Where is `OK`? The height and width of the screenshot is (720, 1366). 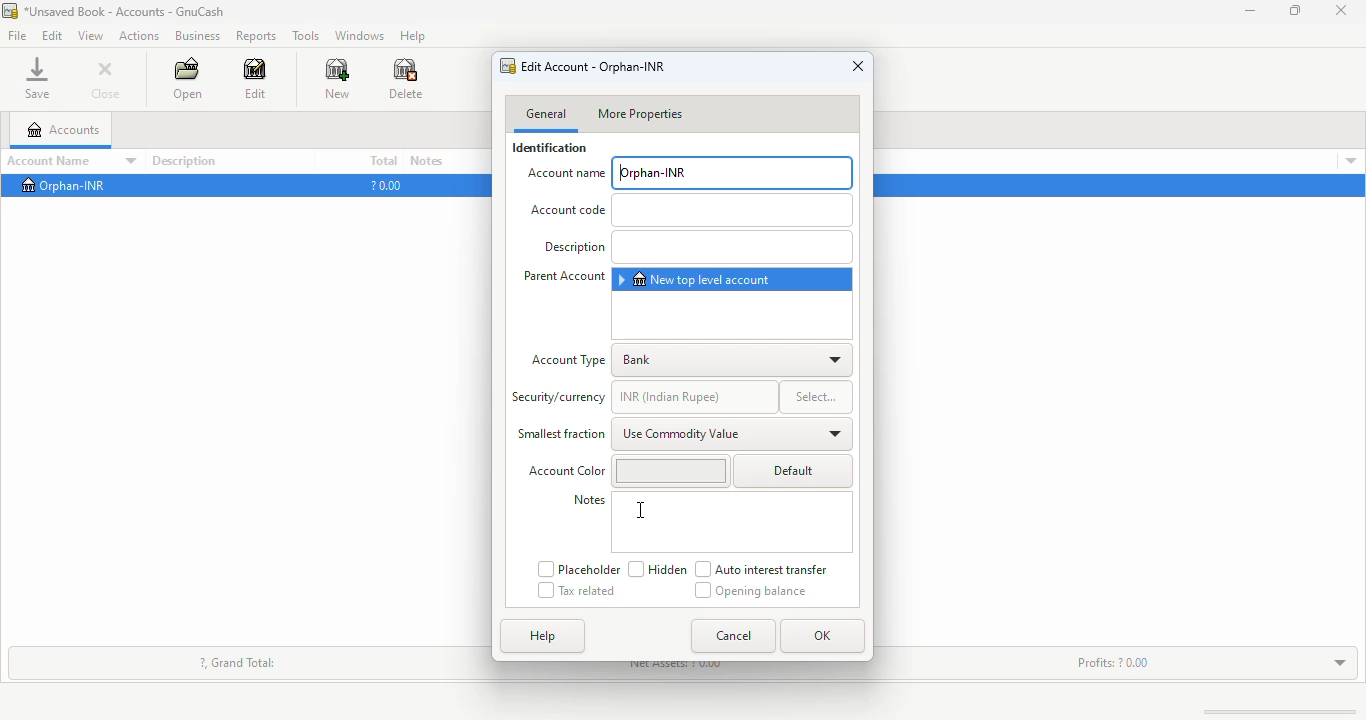
OK is located at coordinates (822, 636).